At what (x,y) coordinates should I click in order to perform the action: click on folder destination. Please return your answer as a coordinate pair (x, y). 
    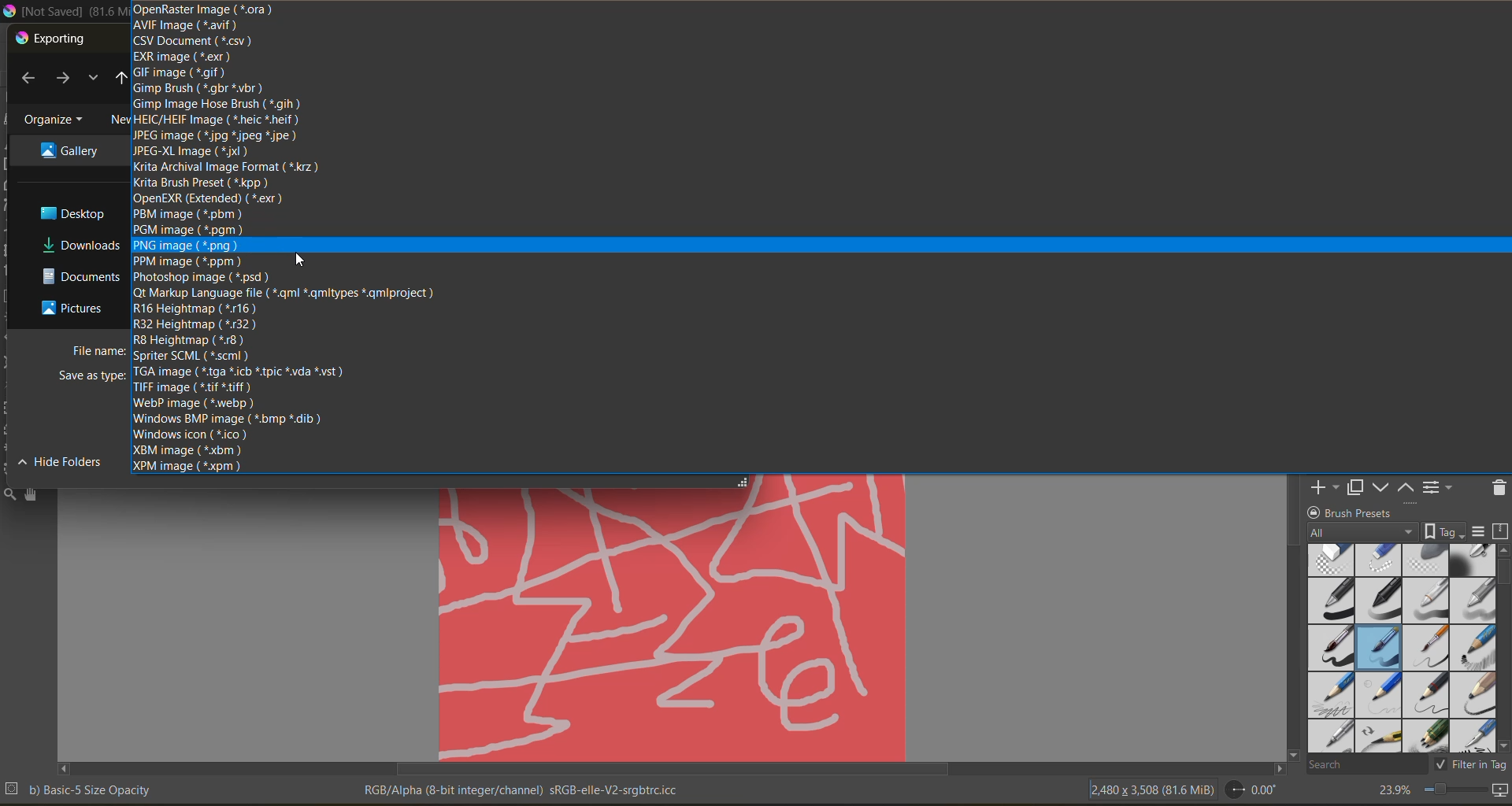
    Looking at the image, I should click on (77, 308).